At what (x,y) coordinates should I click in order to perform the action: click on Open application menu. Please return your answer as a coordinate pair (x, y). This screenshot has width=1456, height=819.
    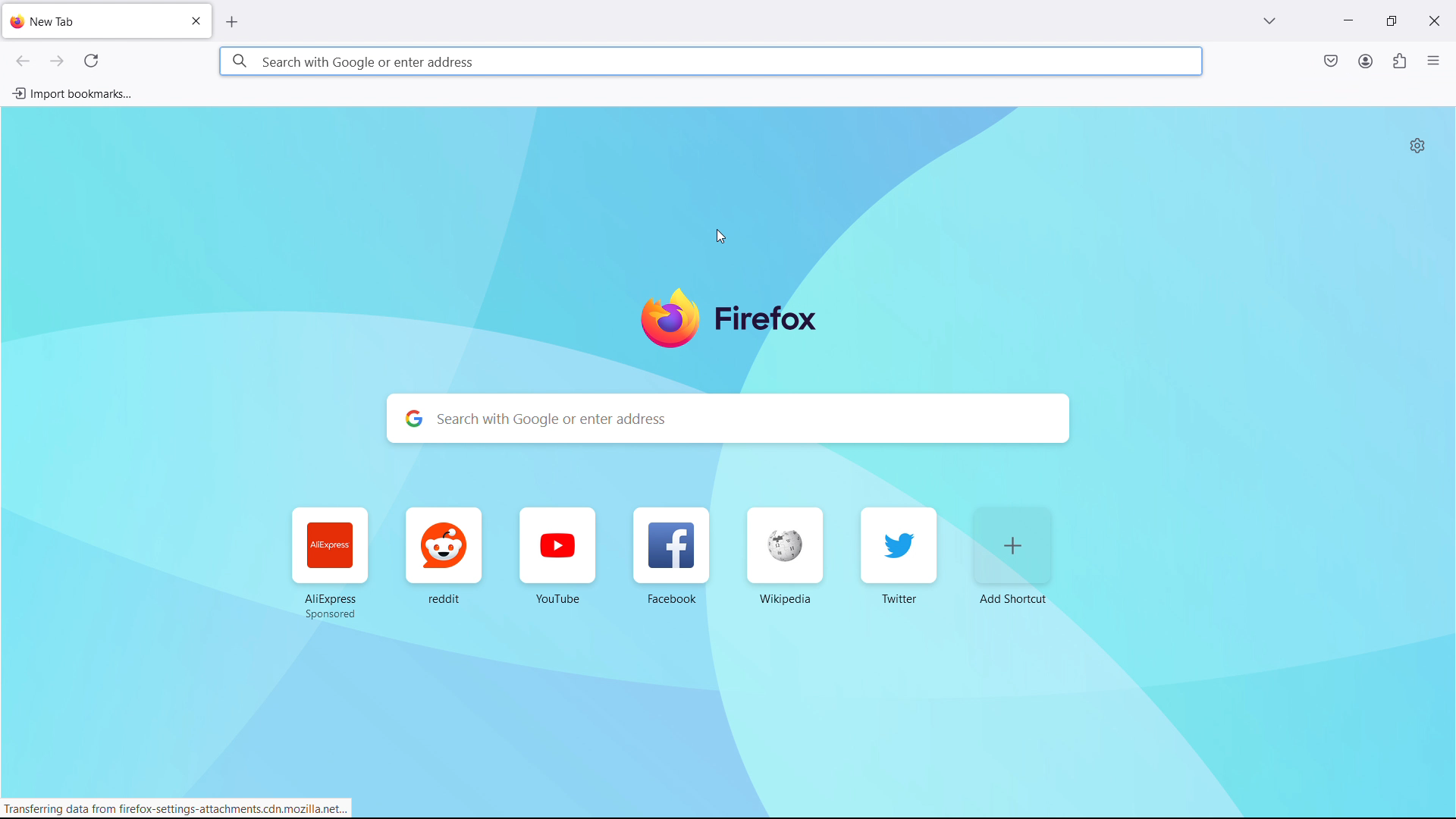
    Looking at the image, I should click on (1391, 94).